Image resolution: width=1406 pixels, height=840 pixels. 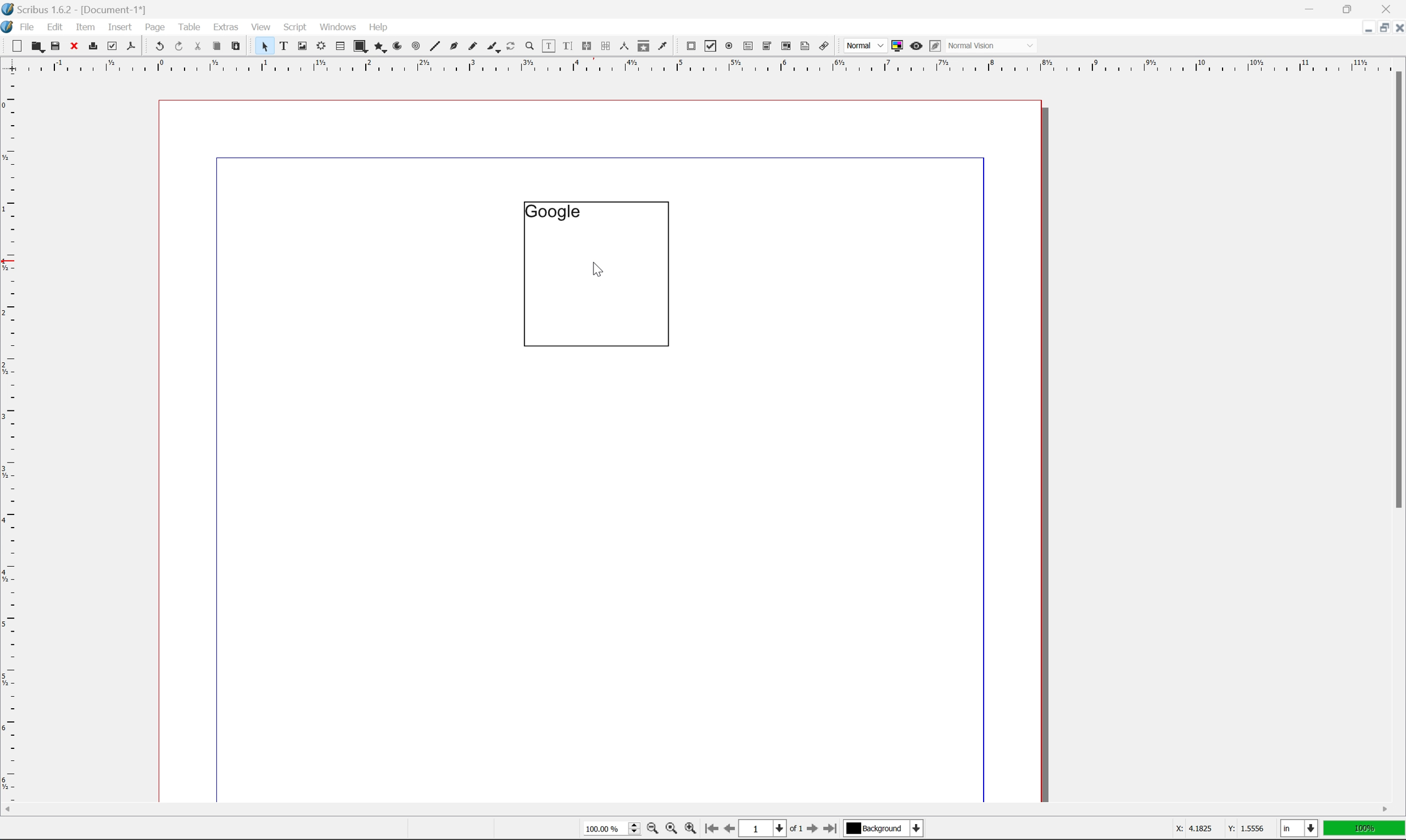 I want to click on pdf list box, so click(x=785, y=48).